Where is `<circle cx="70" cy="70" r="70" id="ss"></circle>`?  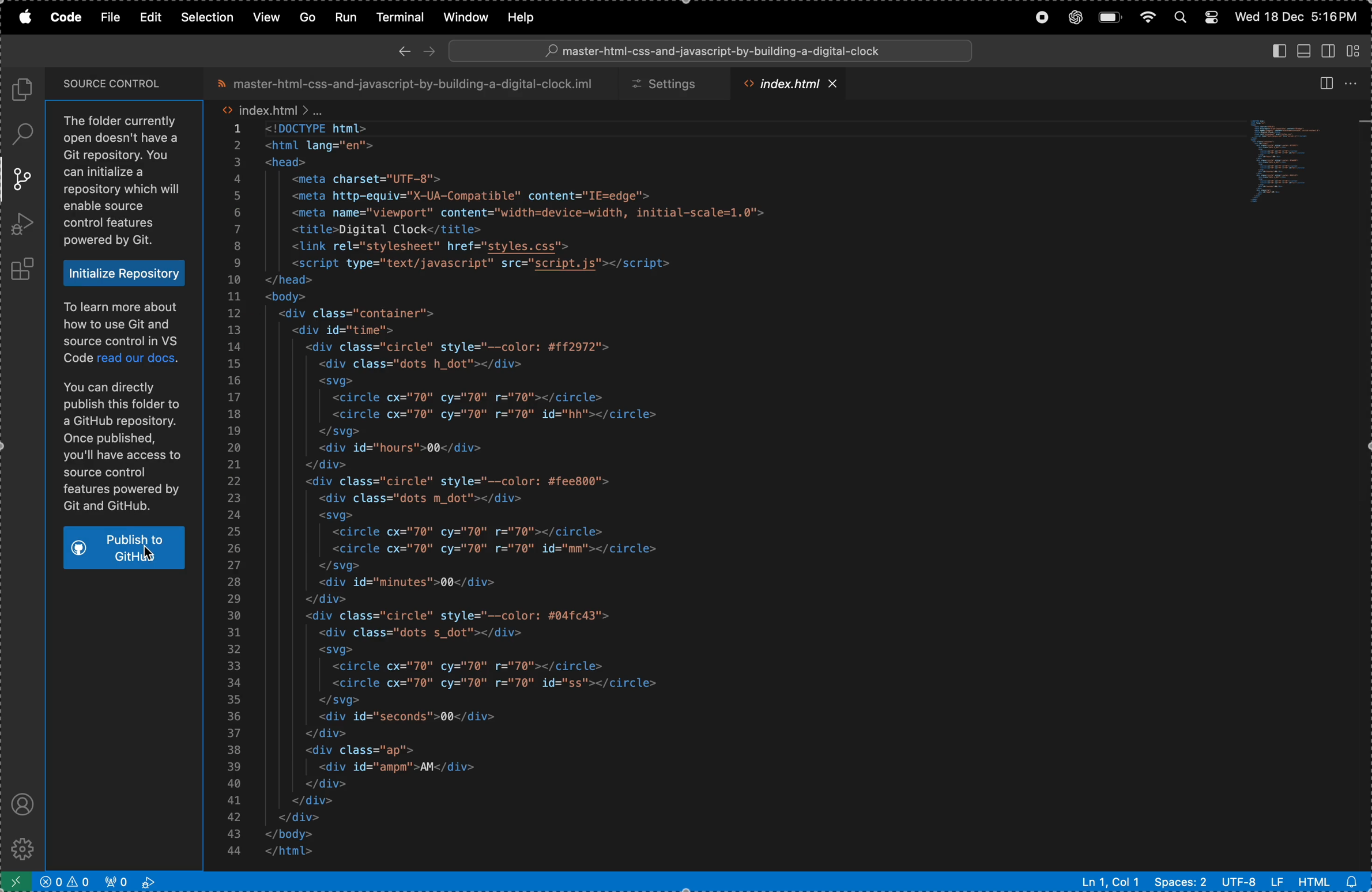
<circle cx="70" cy="70" r="70" id="ss"></circle> is located at coordinates (499, 685).